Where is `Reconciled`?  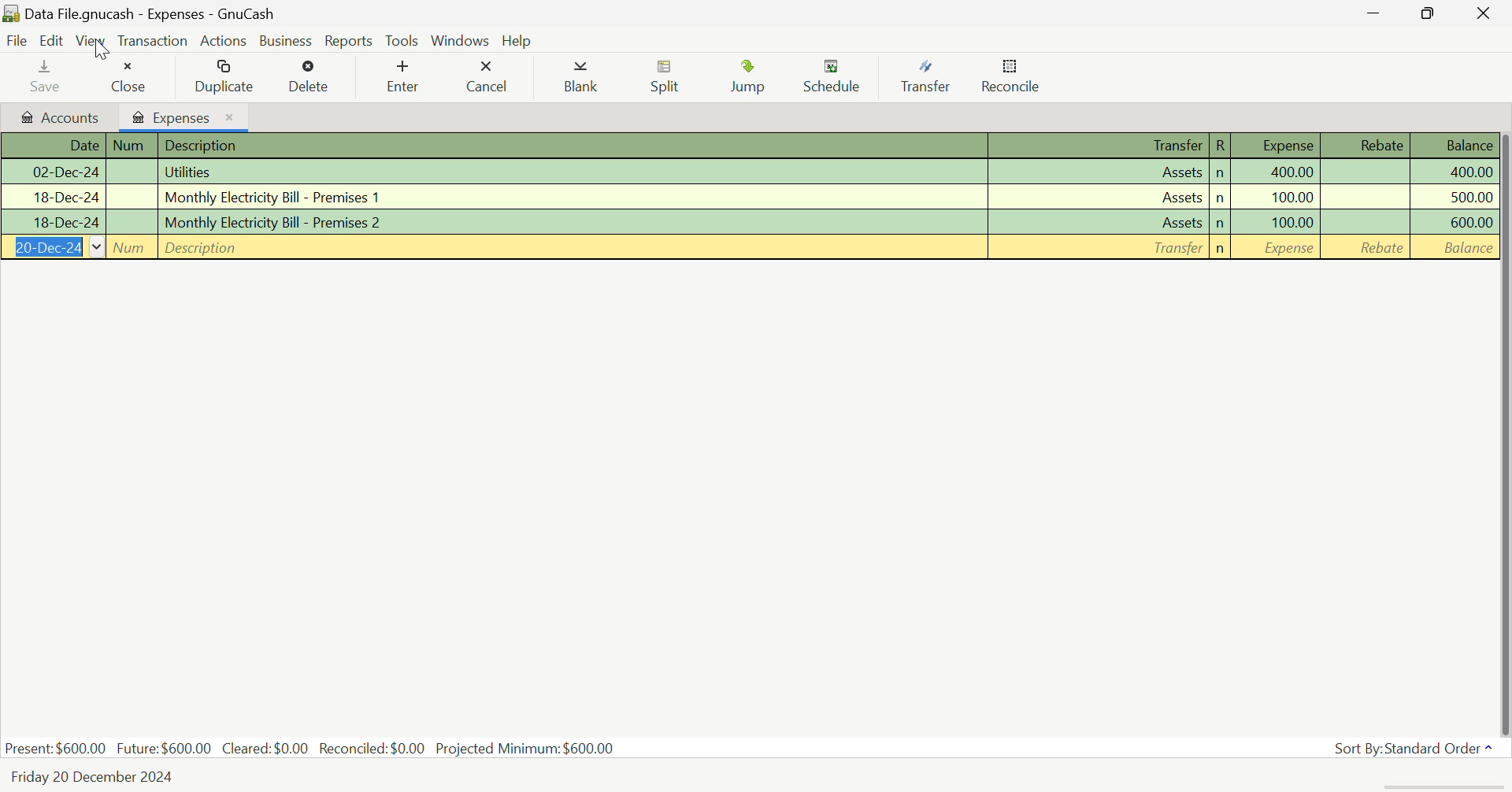
Reconciled is located at coordinates (372, 749).